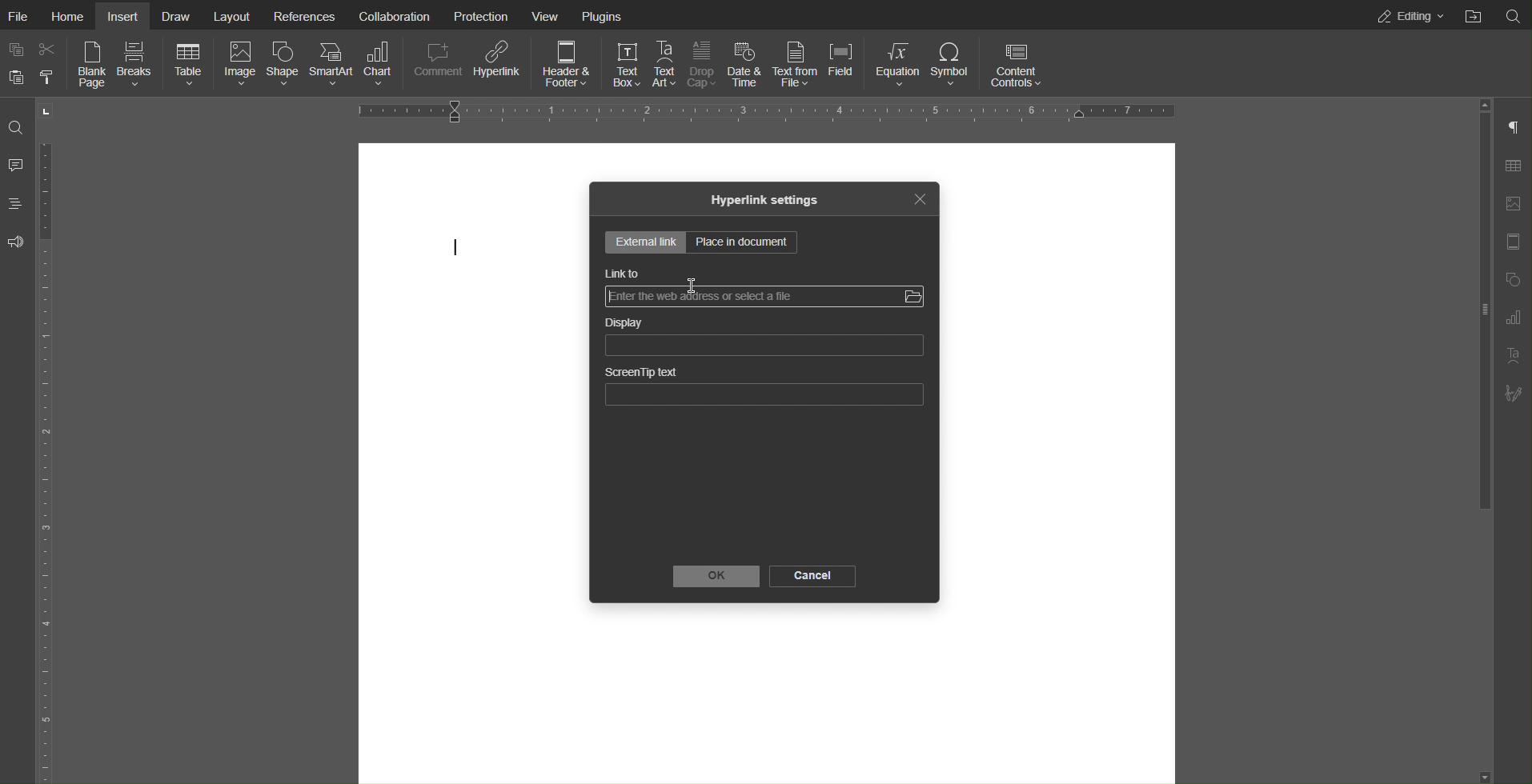 Image resolution: width=1532 pixels, height=784 pixels. I want to click on Layout, so click(234, 15).